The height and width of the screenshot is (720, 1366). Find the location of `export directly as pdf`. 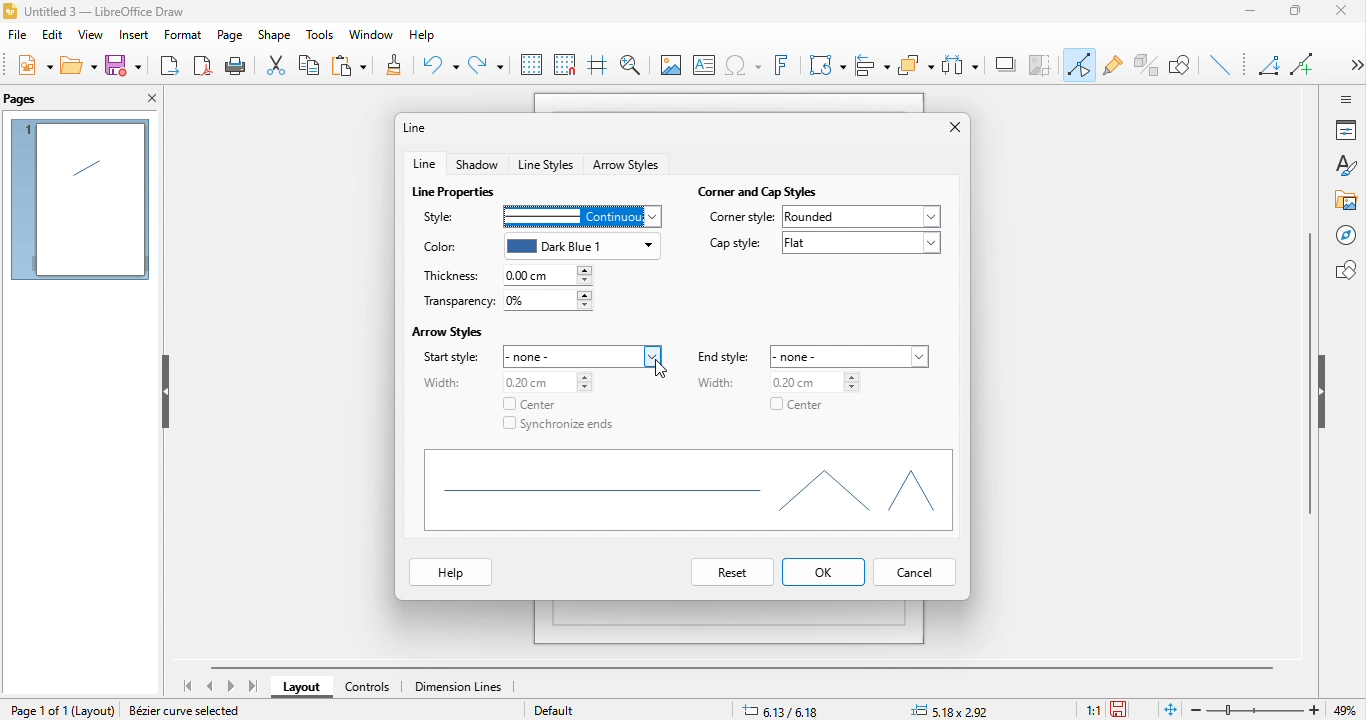

export directly as pdf is located at coordinates (203, 67).